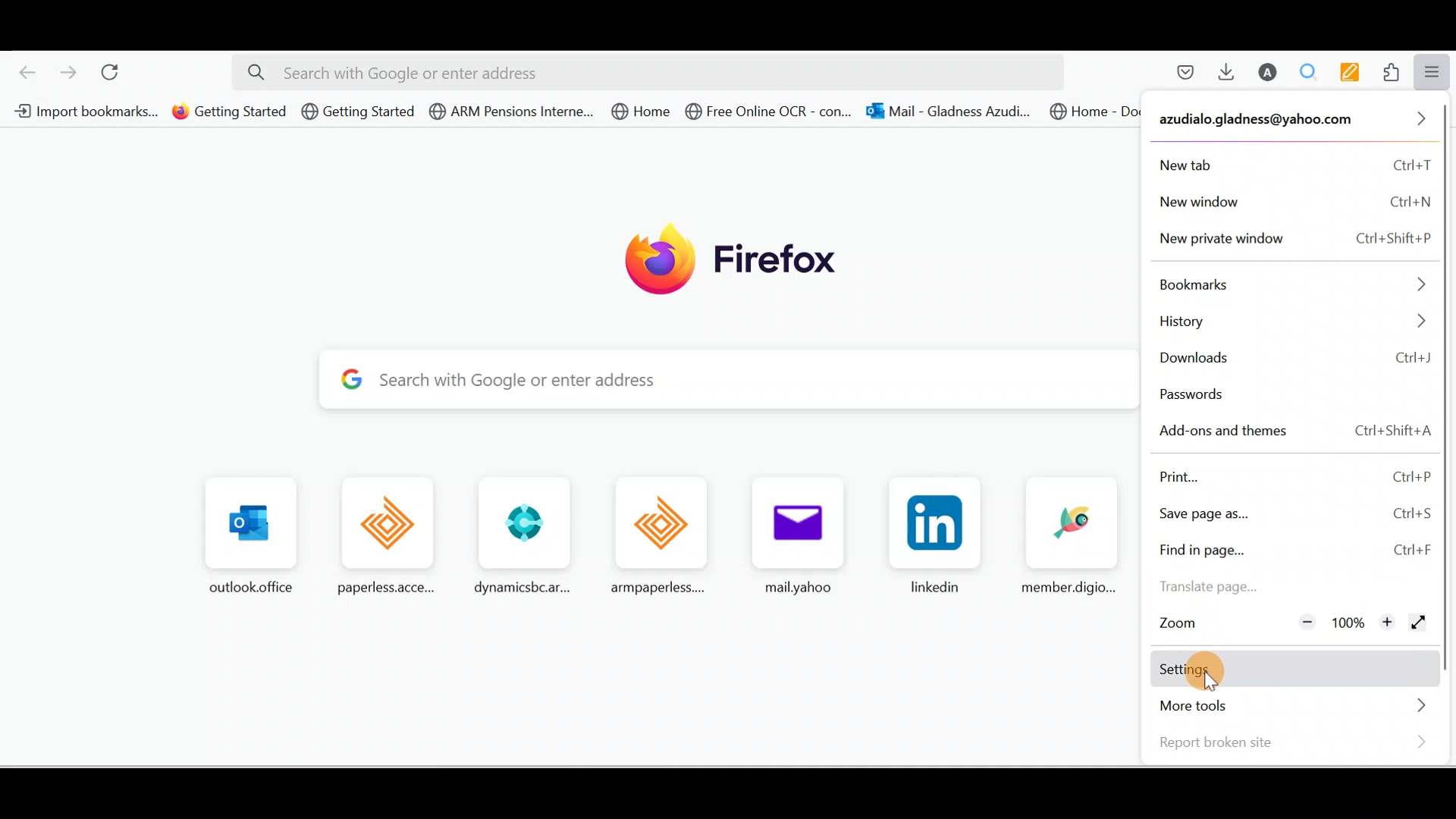 This screenshot has height=819, width=1456. I want to click on Find in page, so click(1298, 554).